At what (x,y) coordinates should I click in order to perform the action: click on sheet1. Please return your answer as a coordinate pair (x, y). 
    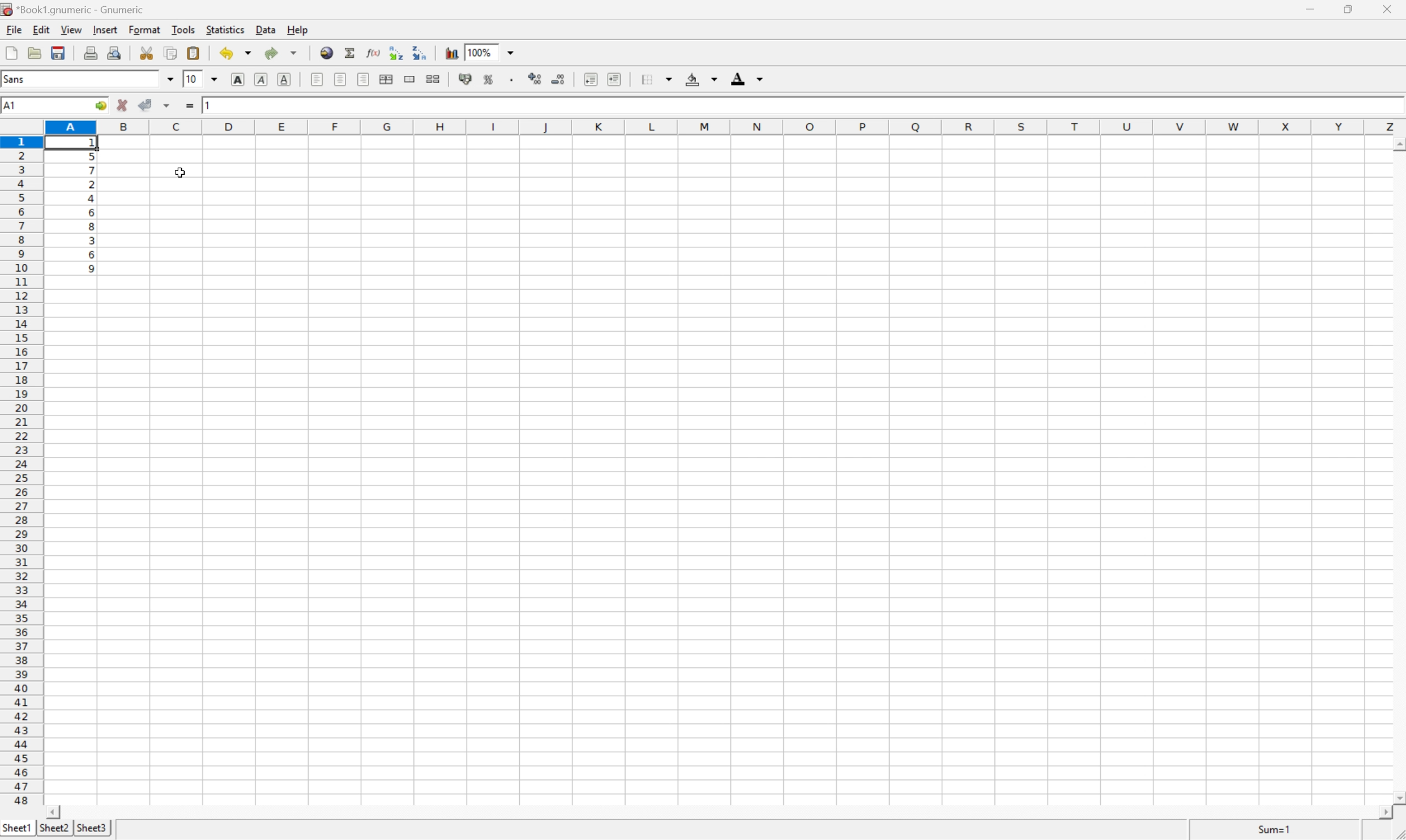
    Looking at the image, I should click on (16, 828).